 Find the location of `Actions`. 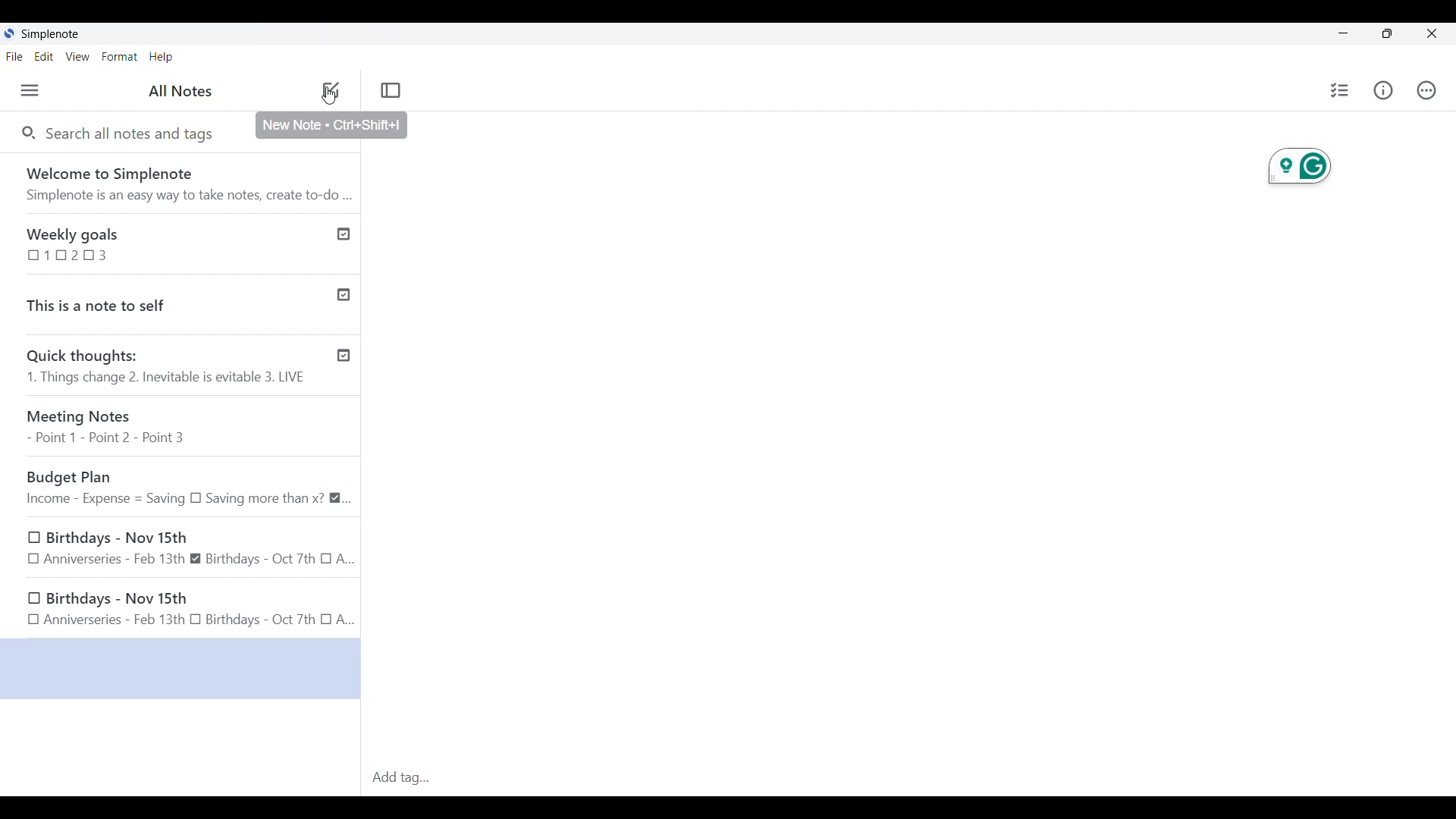

Actions is located at coordinates (1427, 89).